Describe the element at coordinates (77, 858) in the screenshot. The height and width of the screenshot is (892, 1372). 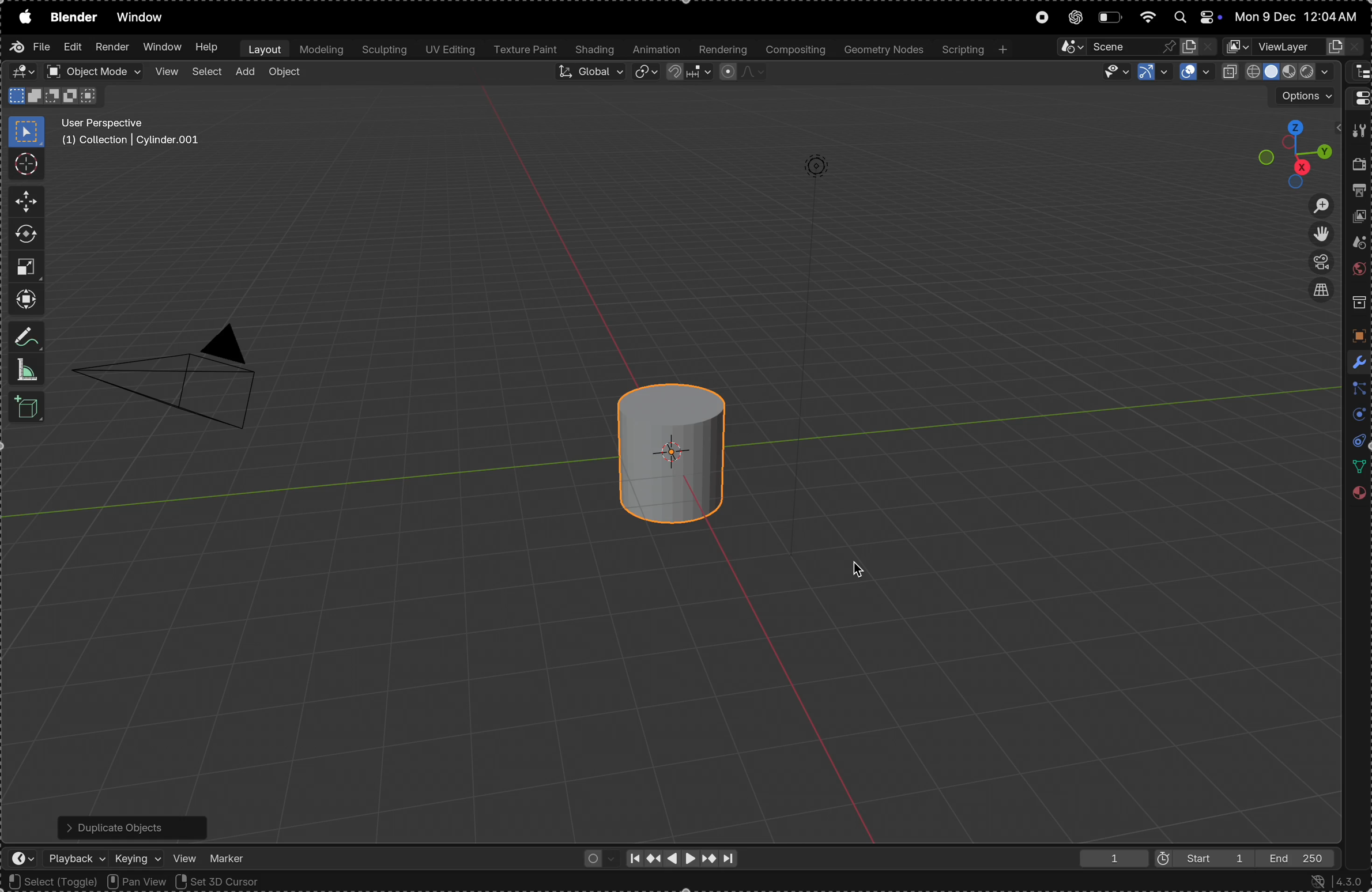
I see `play back ` at that location.